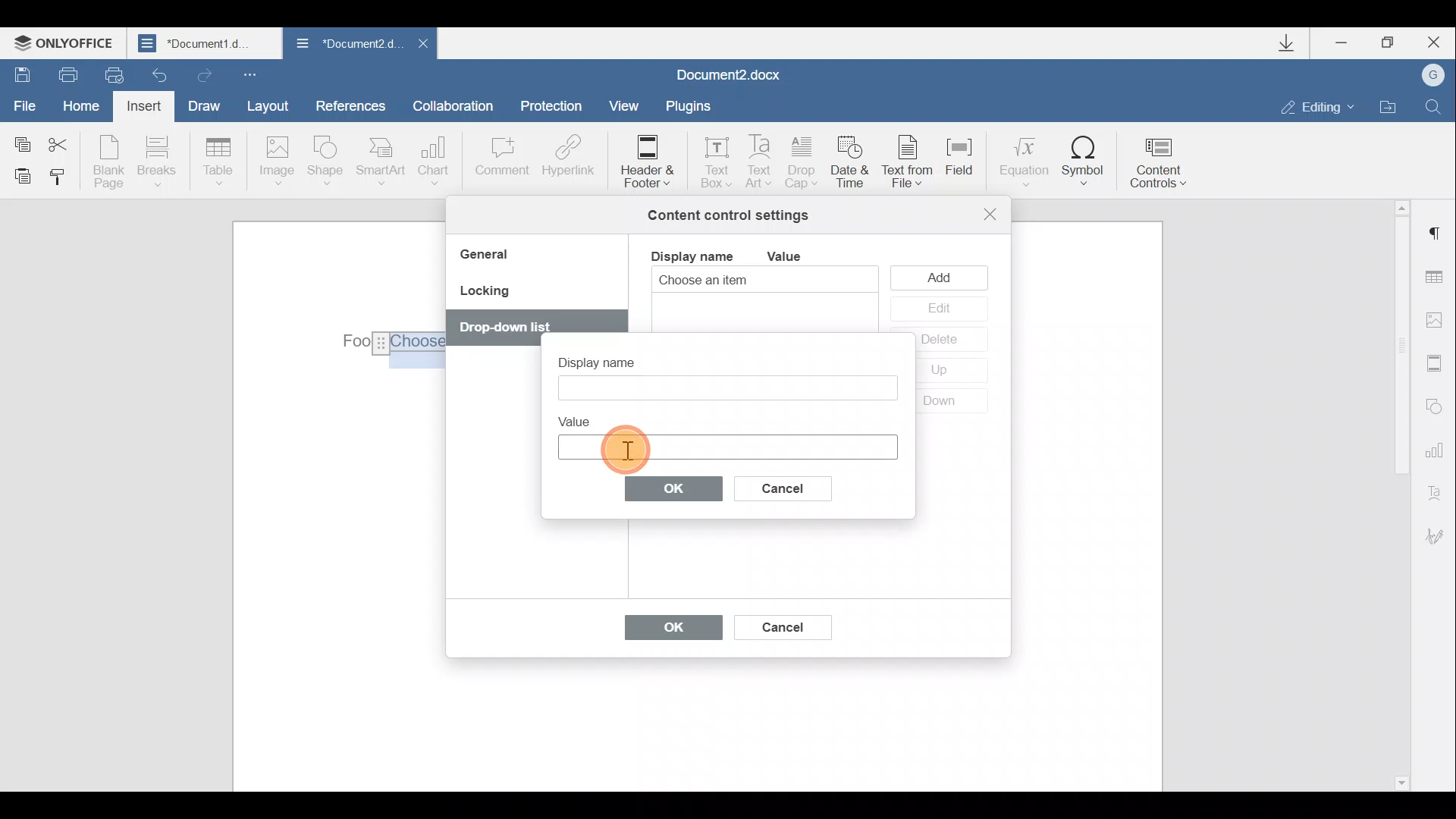  Describe the element at coordinates (795, 485) in the screenshot. I see `Cancel` at that location.